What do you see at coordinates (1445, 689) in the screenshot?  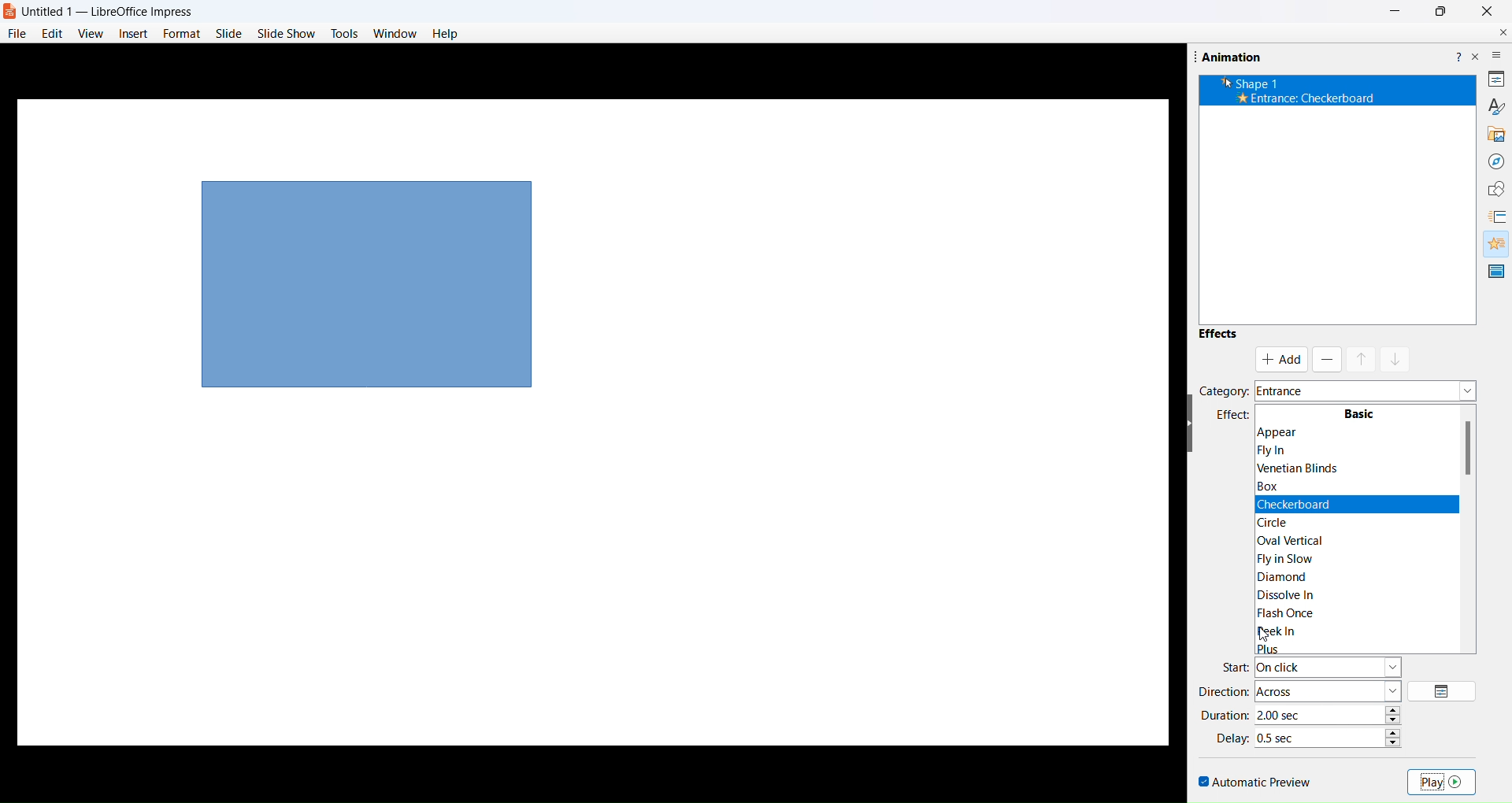 I see `grid` at bounding box center [1445, 689].